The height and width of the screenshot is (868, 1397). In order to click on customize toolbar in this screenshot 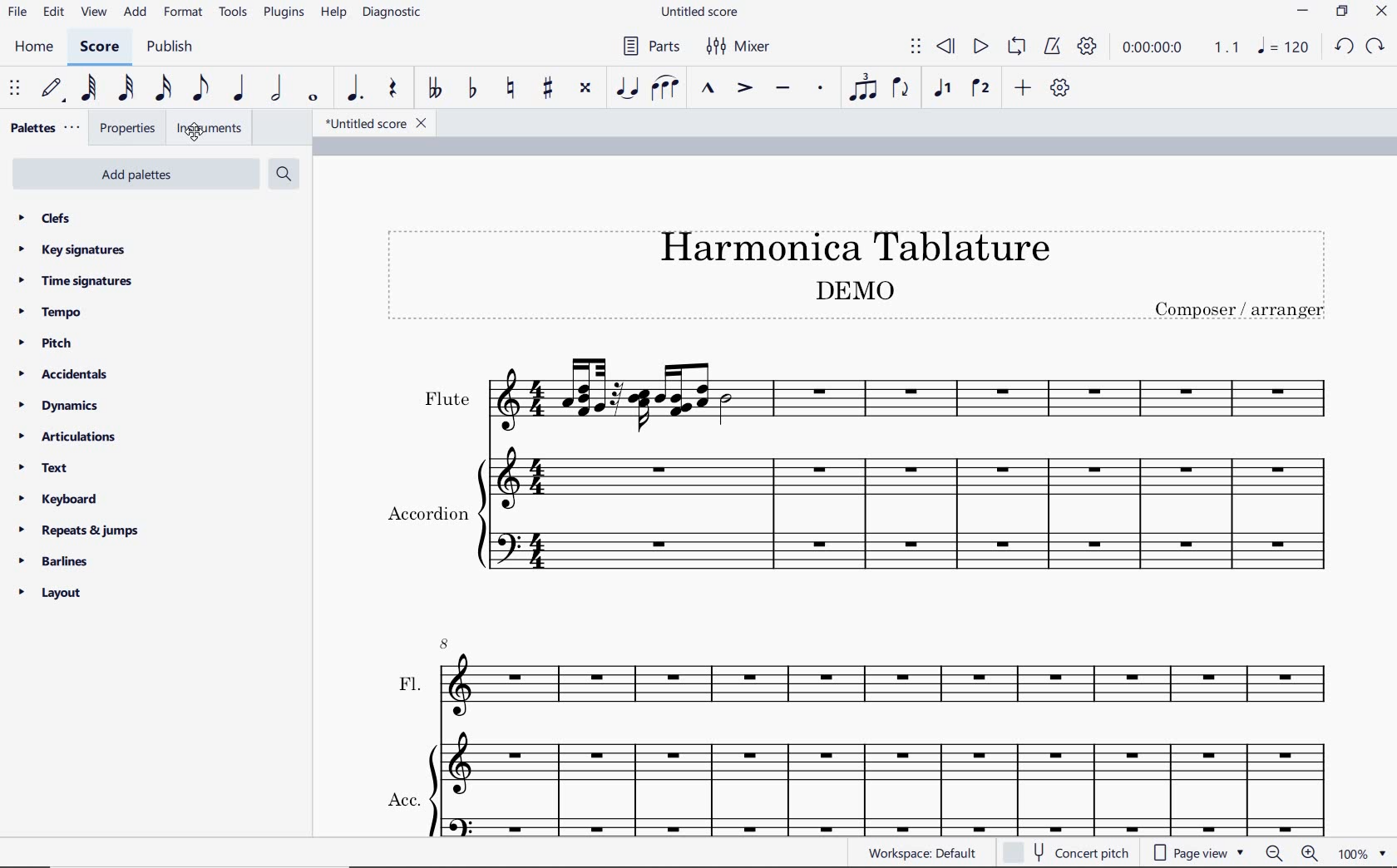, I will do `click(1062, 88)`.